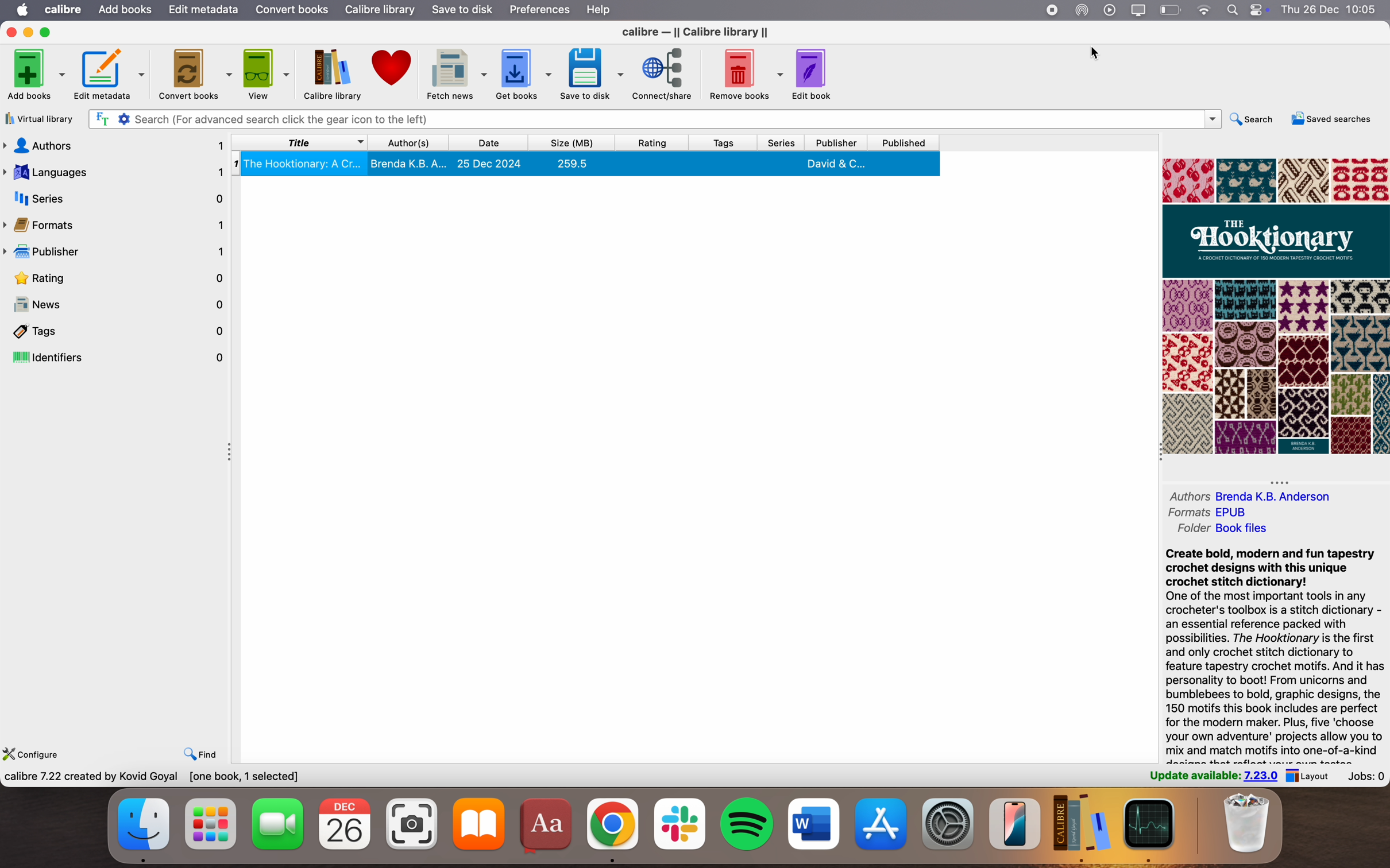  What do you see at coordinates (654, 119) in the screenshot?
I see `search bar` at bounding box center [654, 119].